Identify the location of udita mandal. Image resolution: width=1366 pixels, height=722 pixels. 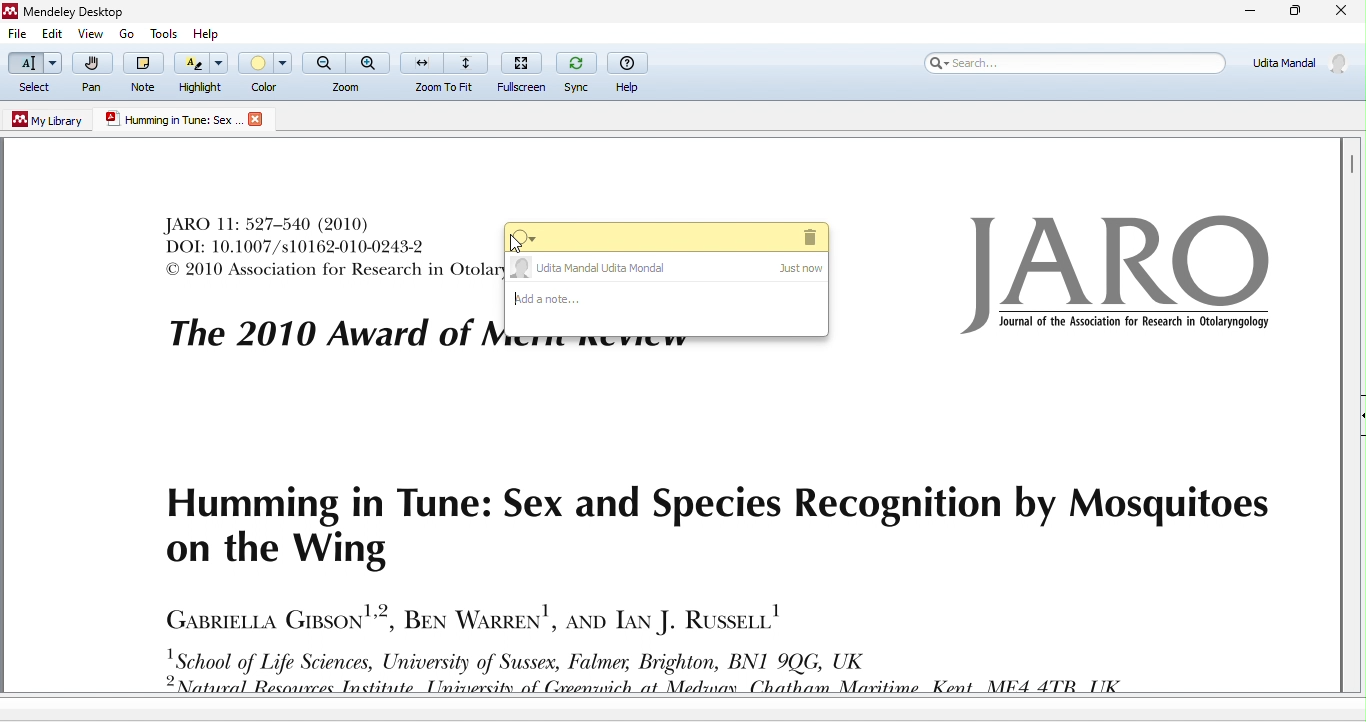
(668, 269).